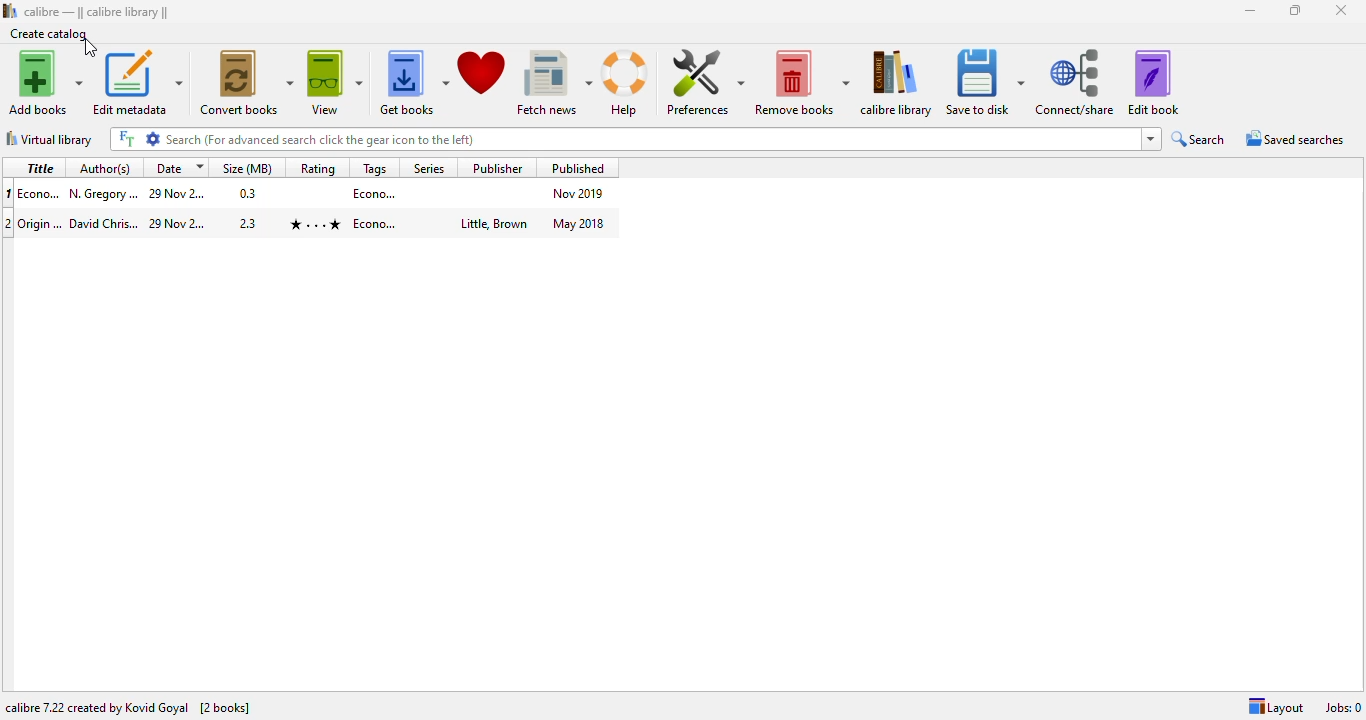  What do you see at coordinates (801, 82) in the screenshot?
I see `remove books` at bounding box center [801, 82].